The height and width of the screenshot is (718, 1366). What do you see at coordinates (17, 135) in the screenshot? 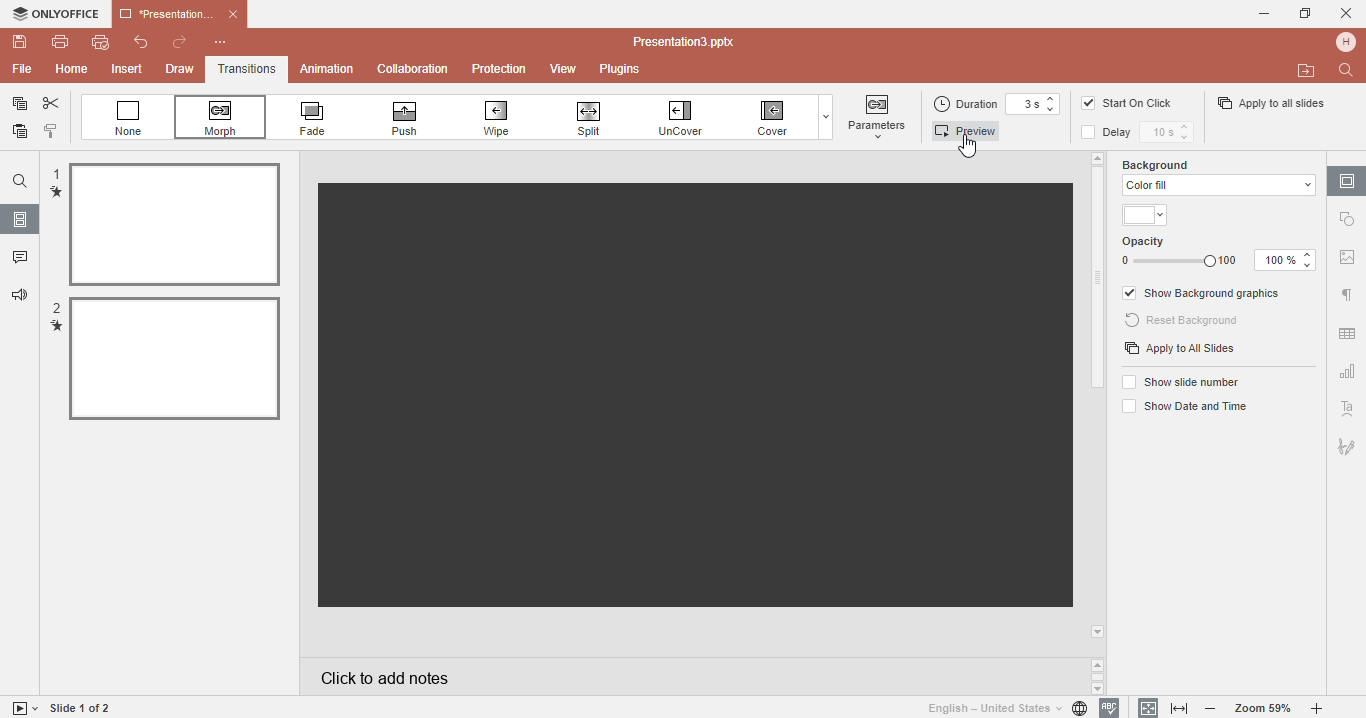
I see `Paste` at bounding box center [17, 135].